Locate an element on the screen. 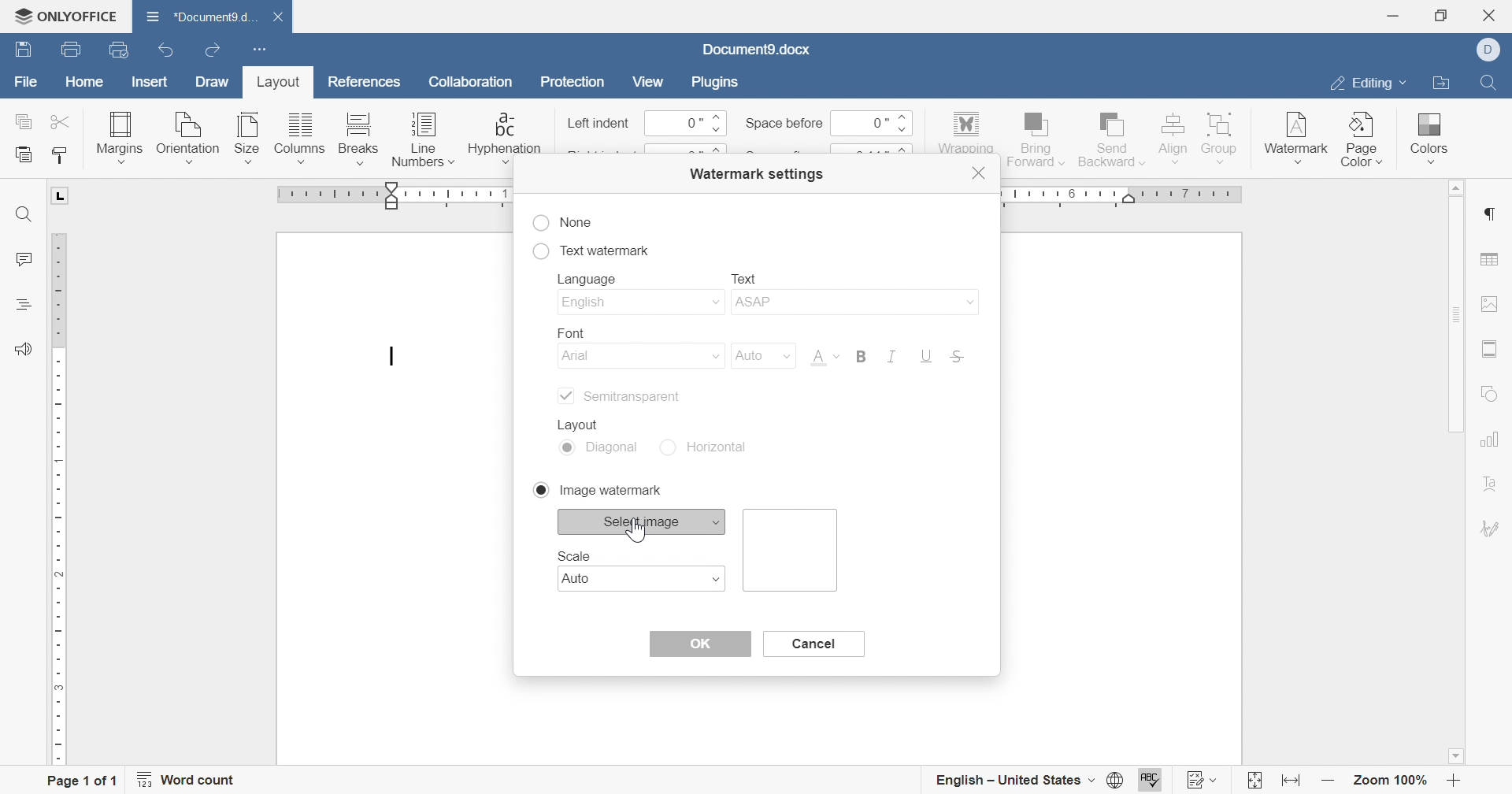 This screenshot has width=1512, height=794. english - united states is located at coordinates (1014, 781).